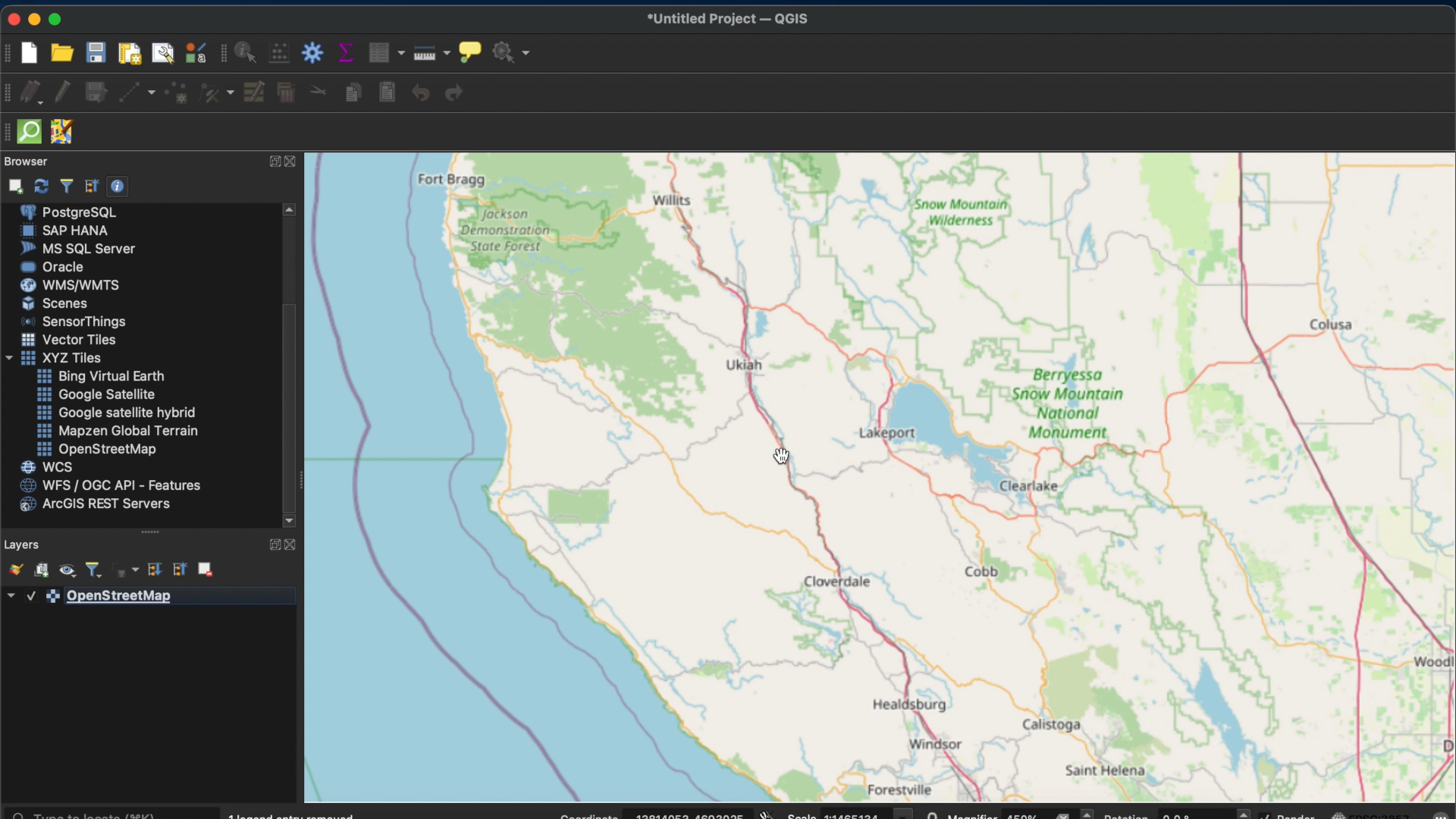 This screenshot has height=819, width=1456. I want to click on add group, so click(42, 569).